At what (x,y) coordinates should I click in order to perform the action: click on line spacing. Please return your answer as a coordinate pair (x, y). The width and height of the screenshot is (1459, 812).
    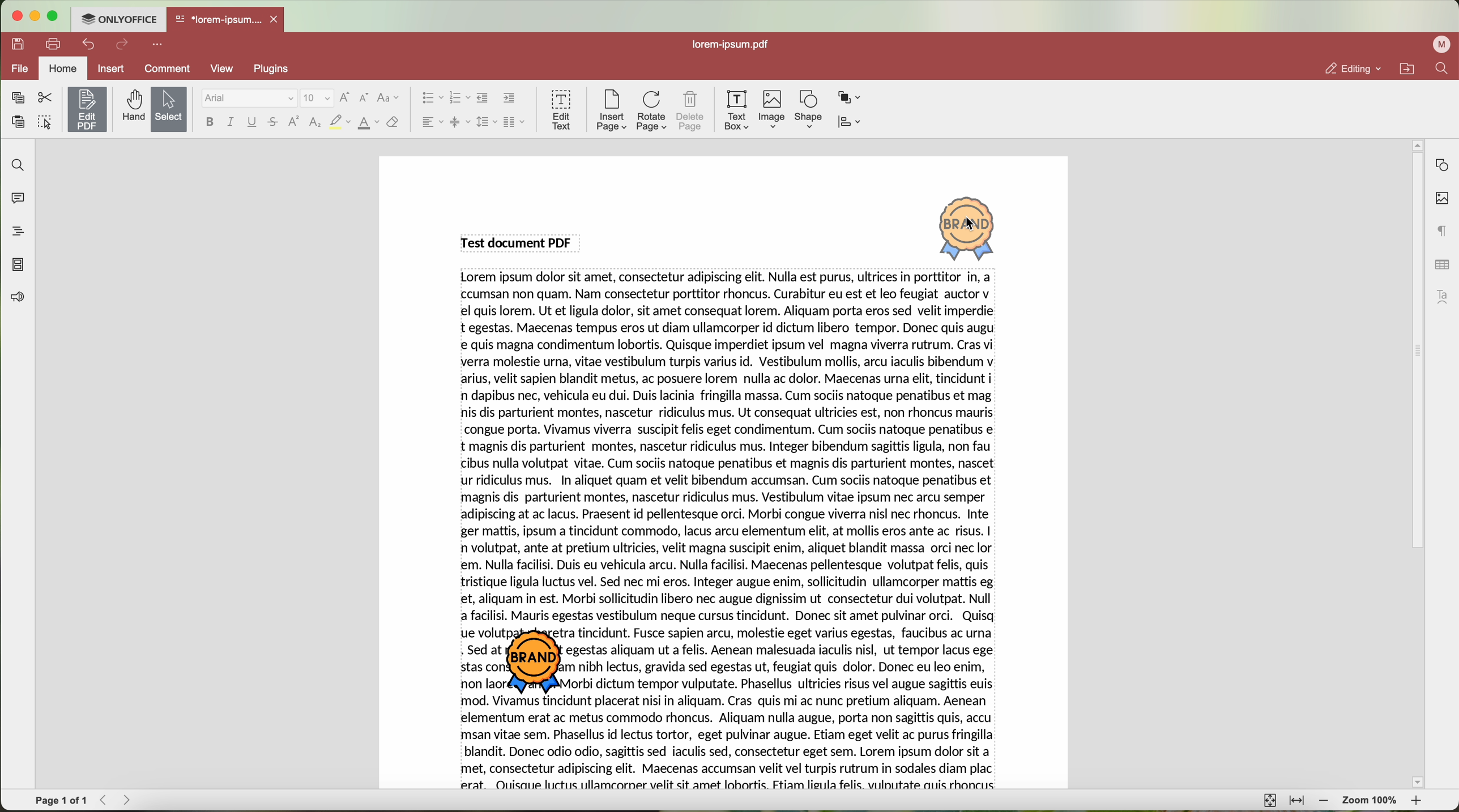
    Looking at the image, I should click on (487, 122).